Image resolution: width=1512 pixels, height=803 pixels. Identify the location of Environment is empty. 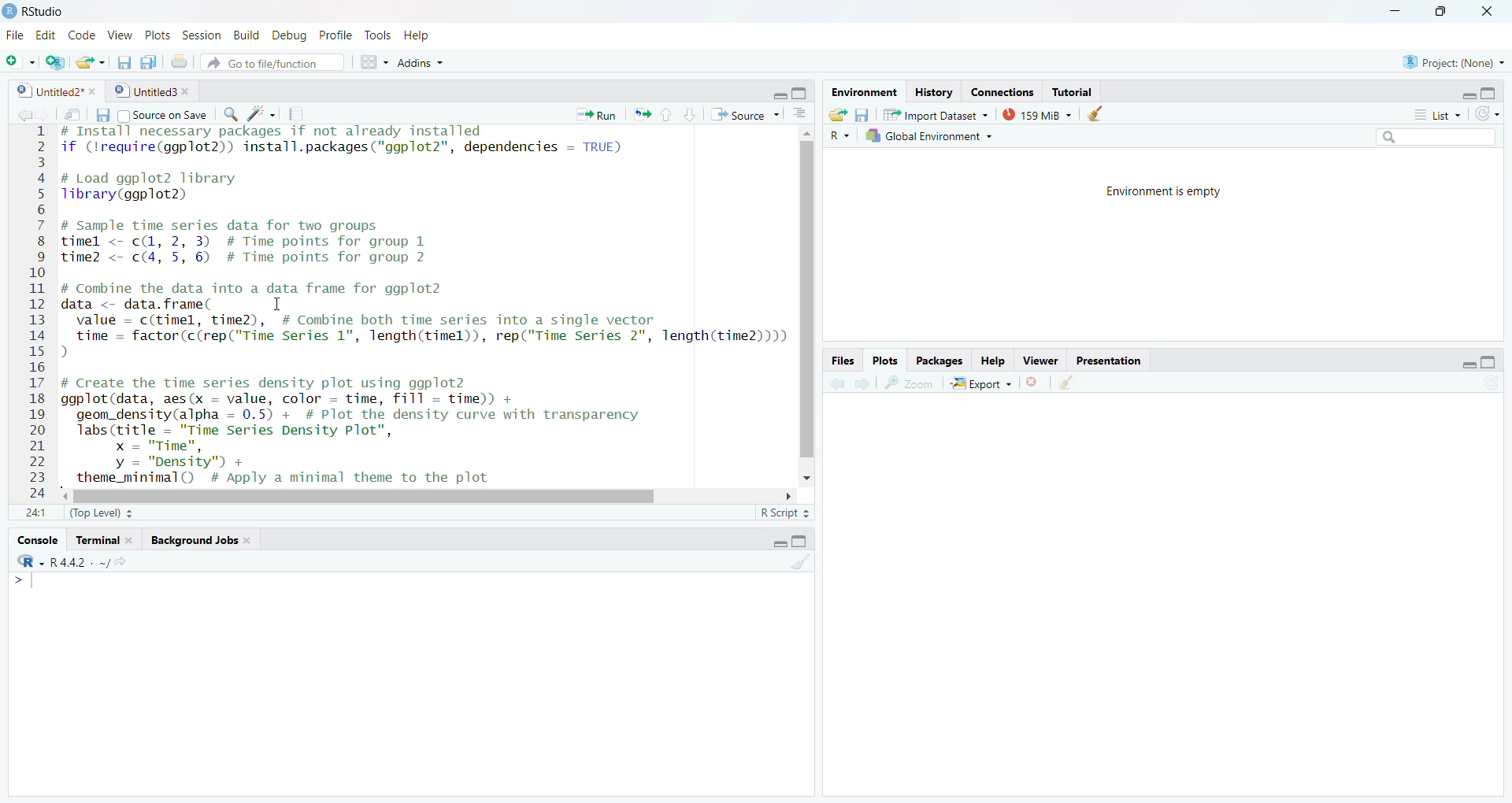
(1164, 190).